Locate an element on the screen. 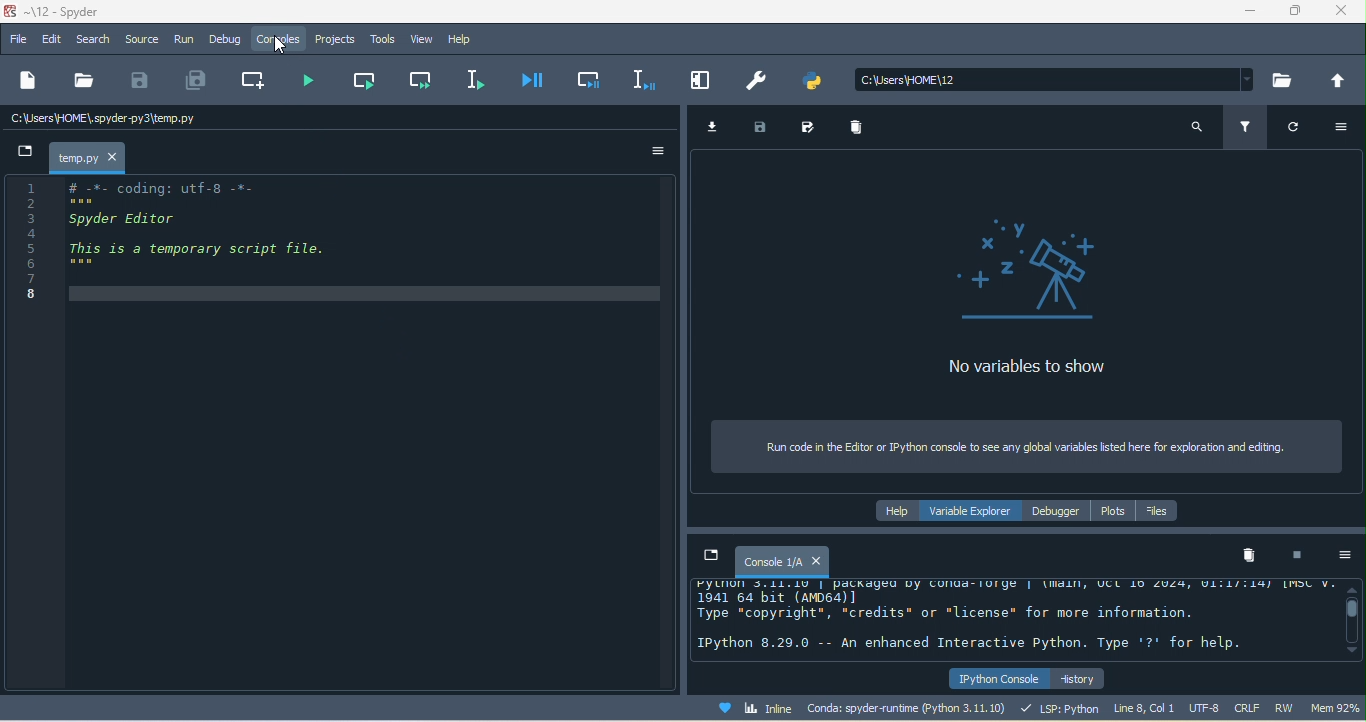 The image size is (1366, 722). plots is located at coordinates (1115, 512).